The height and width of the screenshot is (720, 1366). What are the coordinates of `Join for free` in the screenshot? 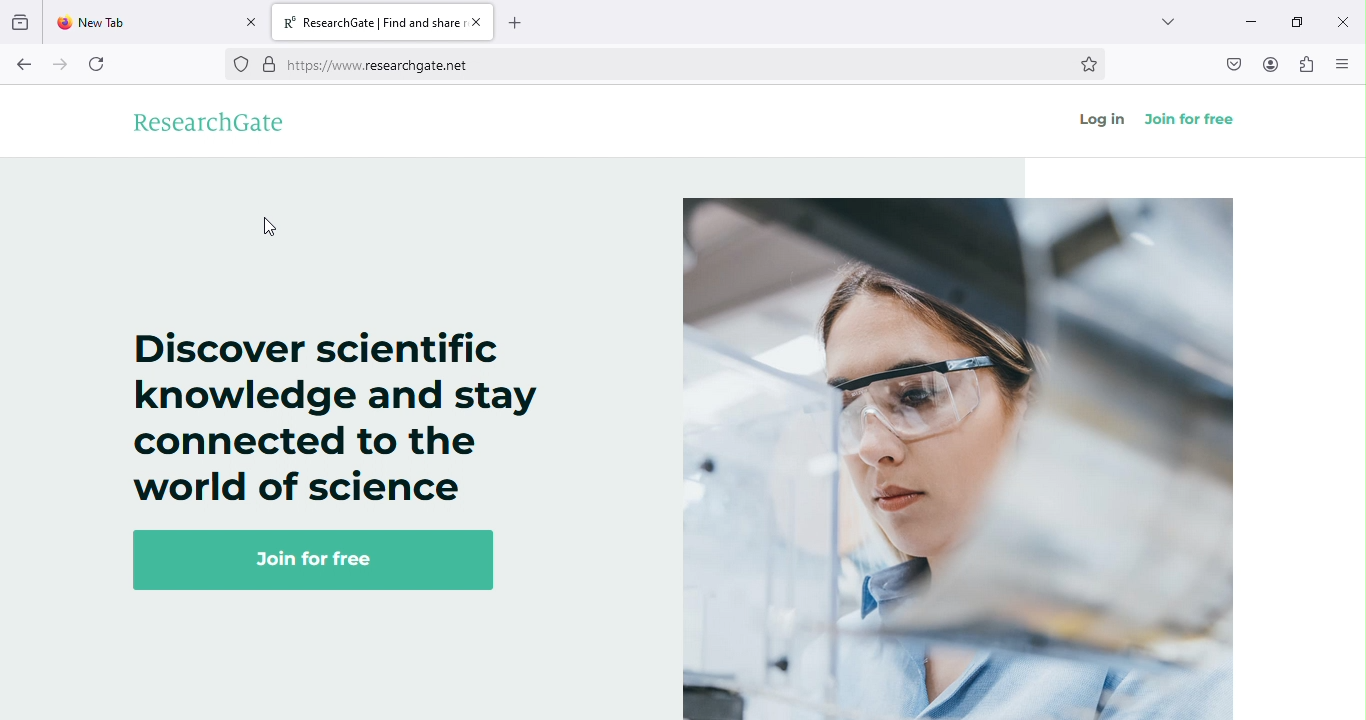 It's located at (314, 560).